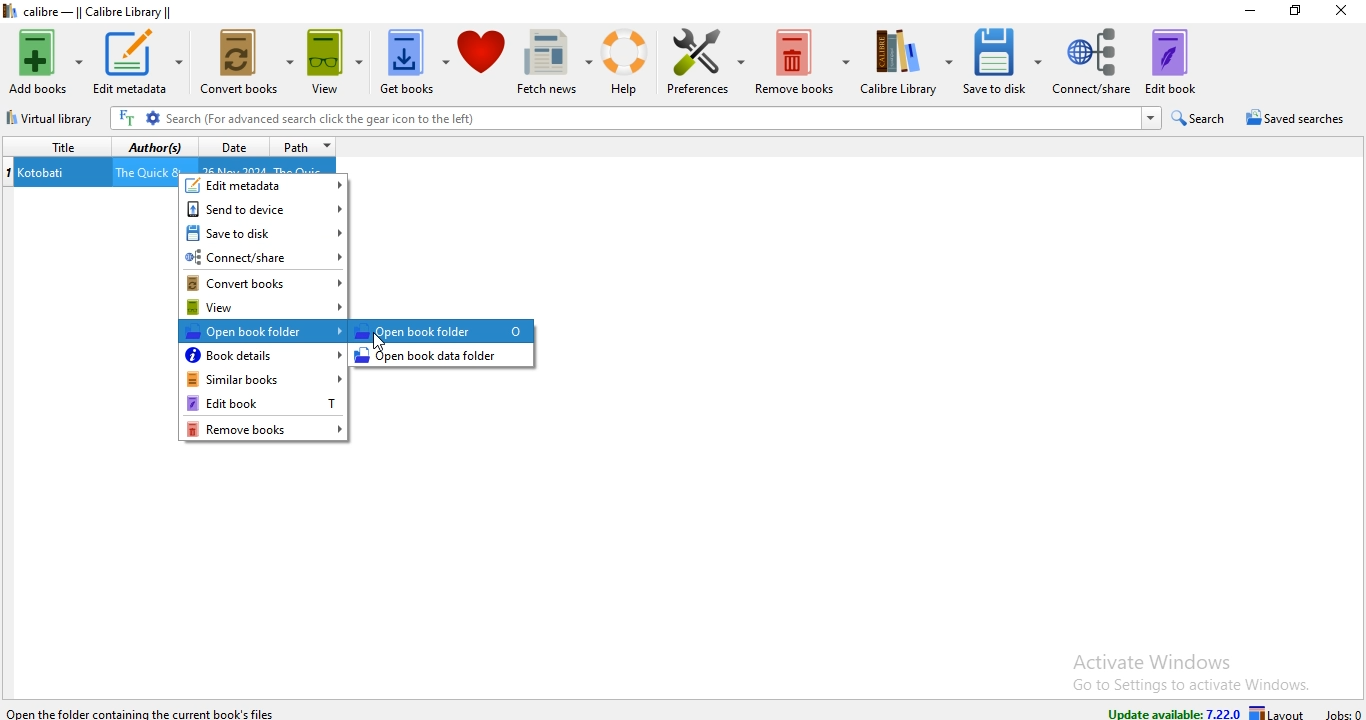 The height and width of the screenshot is (720, 1366). I want to click on fetch news, so click(554, 60).